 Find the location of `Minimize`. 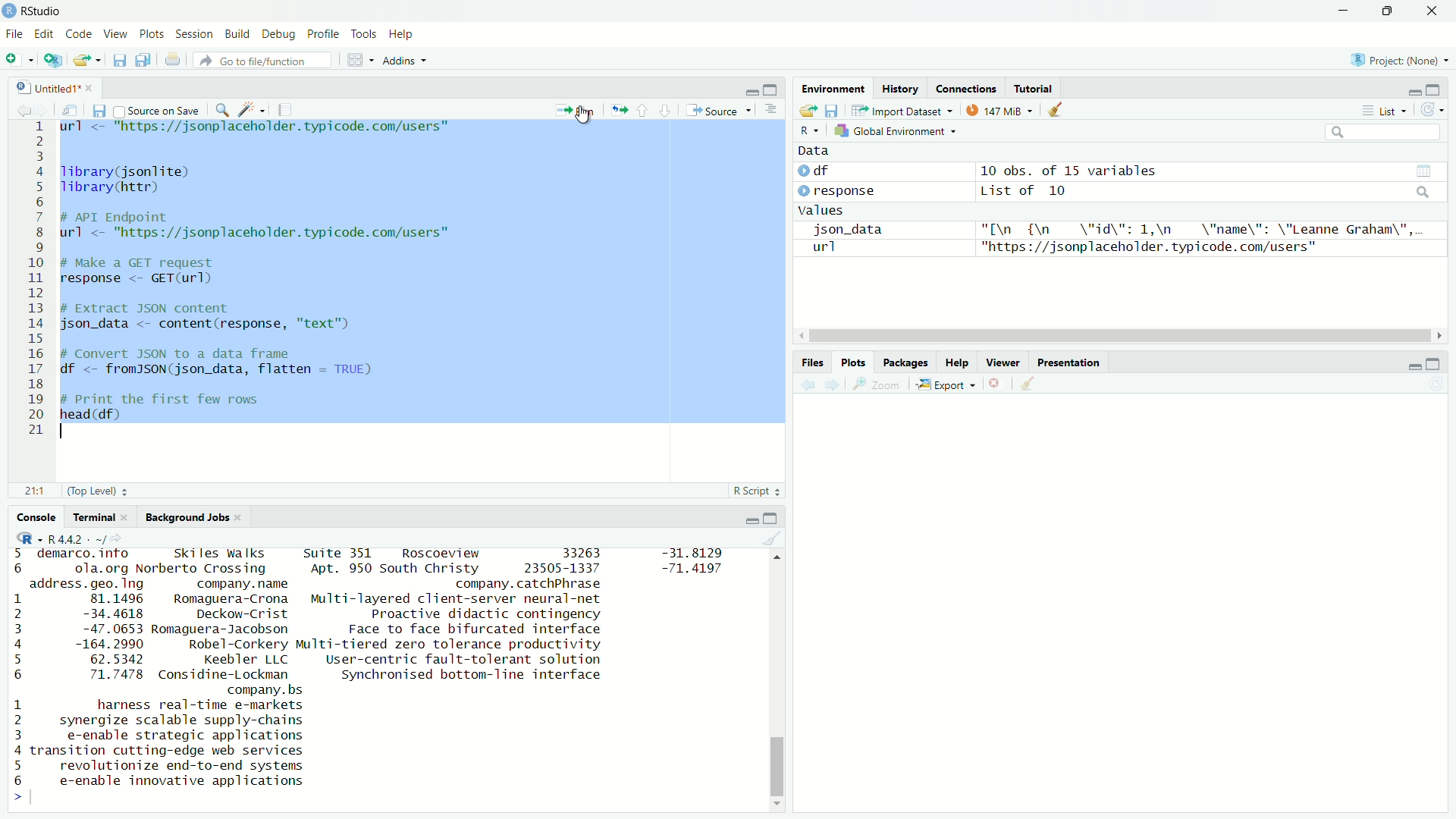

Minimize is located at coordinates (1347, 11).